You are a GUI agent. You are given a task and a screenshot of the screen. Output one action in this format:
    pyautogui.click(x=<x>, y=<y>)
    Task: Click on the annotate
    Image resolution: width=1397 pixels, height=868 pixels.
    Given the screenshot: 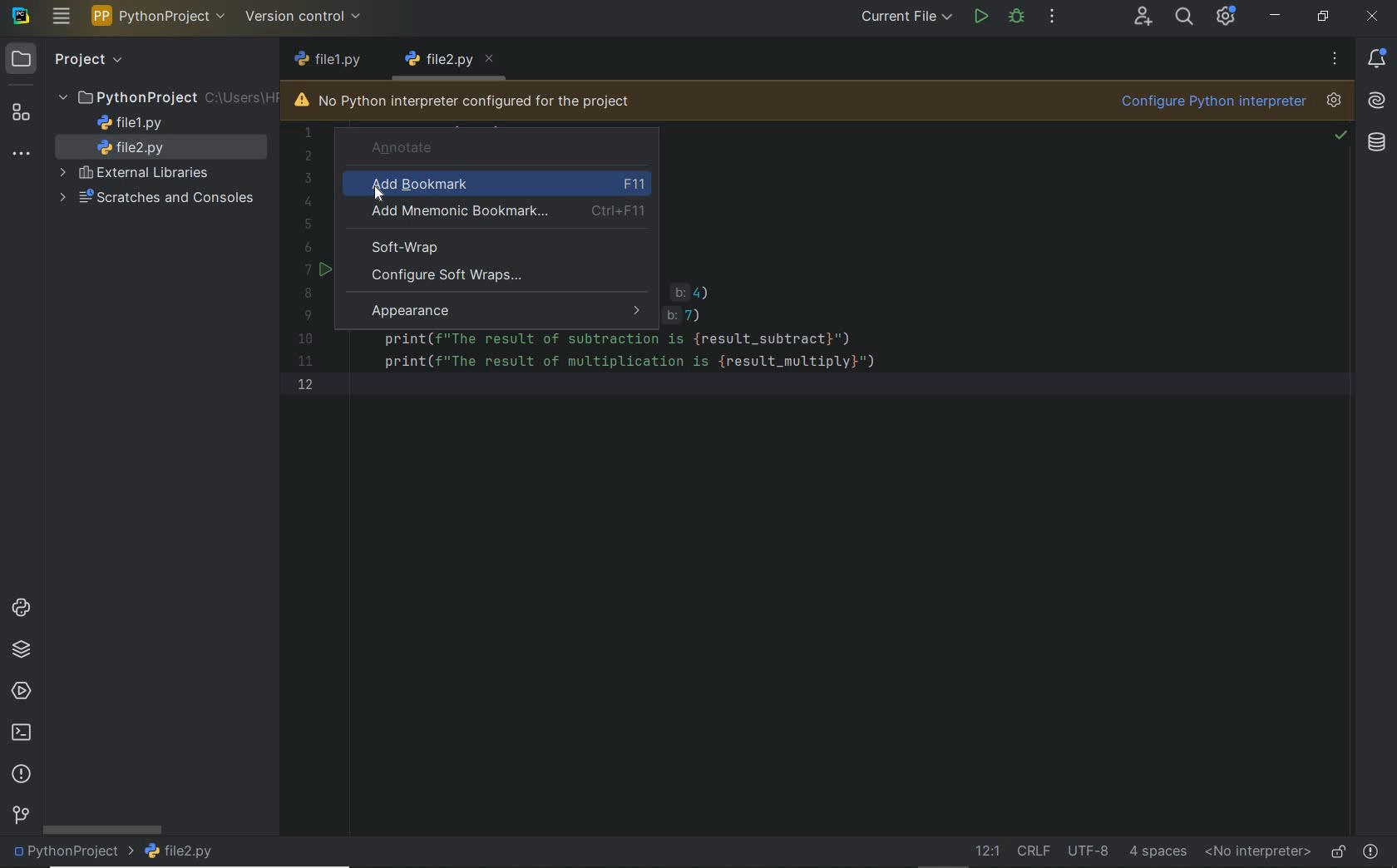 What is the action you would take?
    pyautogui.click(x=486, y=147)
    